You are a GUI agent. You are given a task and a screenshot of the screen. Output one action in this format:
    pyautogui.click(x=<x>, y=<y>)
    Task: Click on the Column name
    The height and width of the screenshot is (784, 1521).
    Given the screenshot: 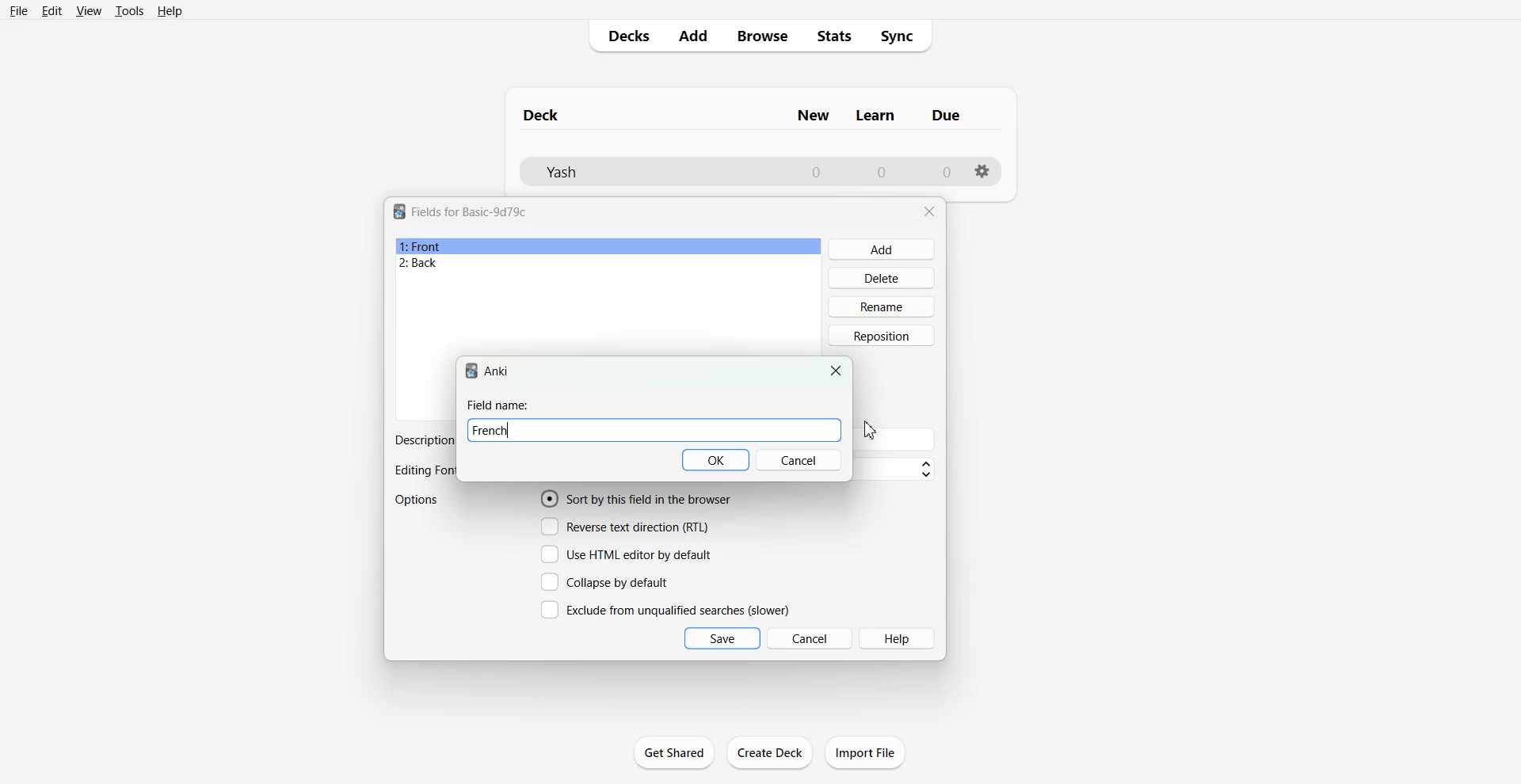 What is the action you would take?
    pyautogui.click(x=875, y=116)
    